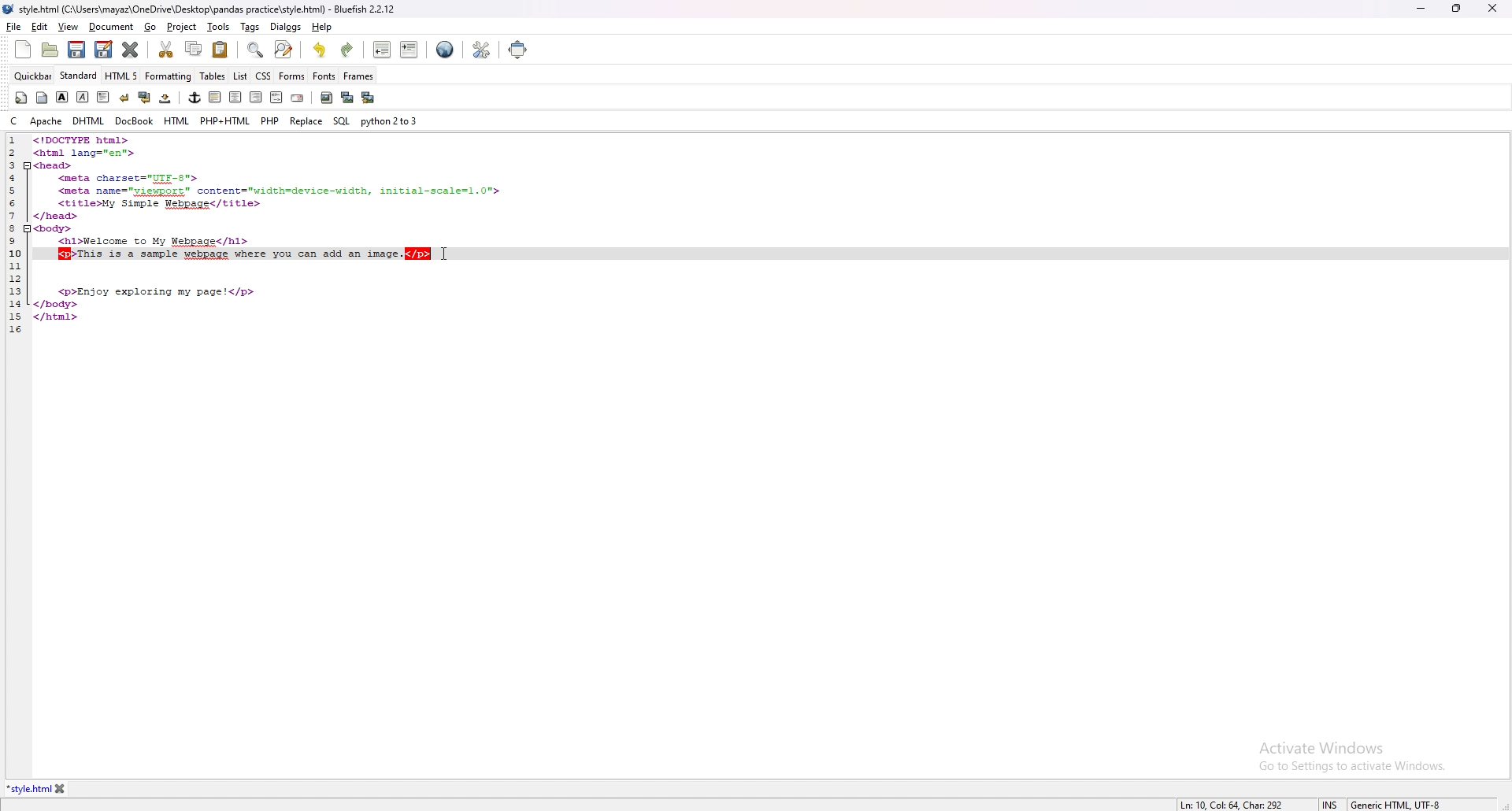 The height and width of the screenshot is (811, 1512). Describe the element at coordinates (1334, 804) in the screenshot. I see `INS` at that location.